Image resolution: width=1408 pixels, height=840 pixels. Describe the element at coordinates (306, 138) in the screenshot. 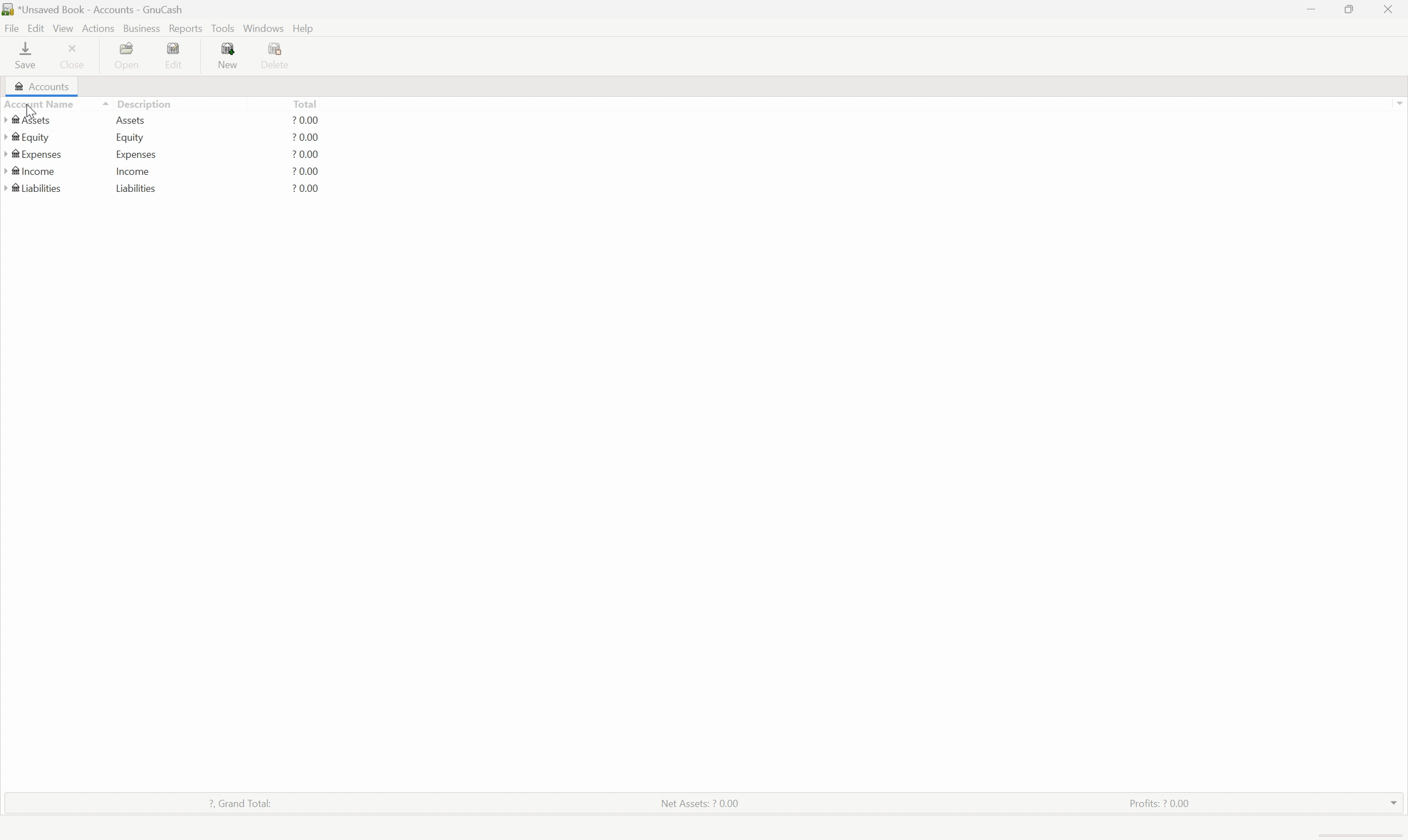

I see `? 0.00` at that location.